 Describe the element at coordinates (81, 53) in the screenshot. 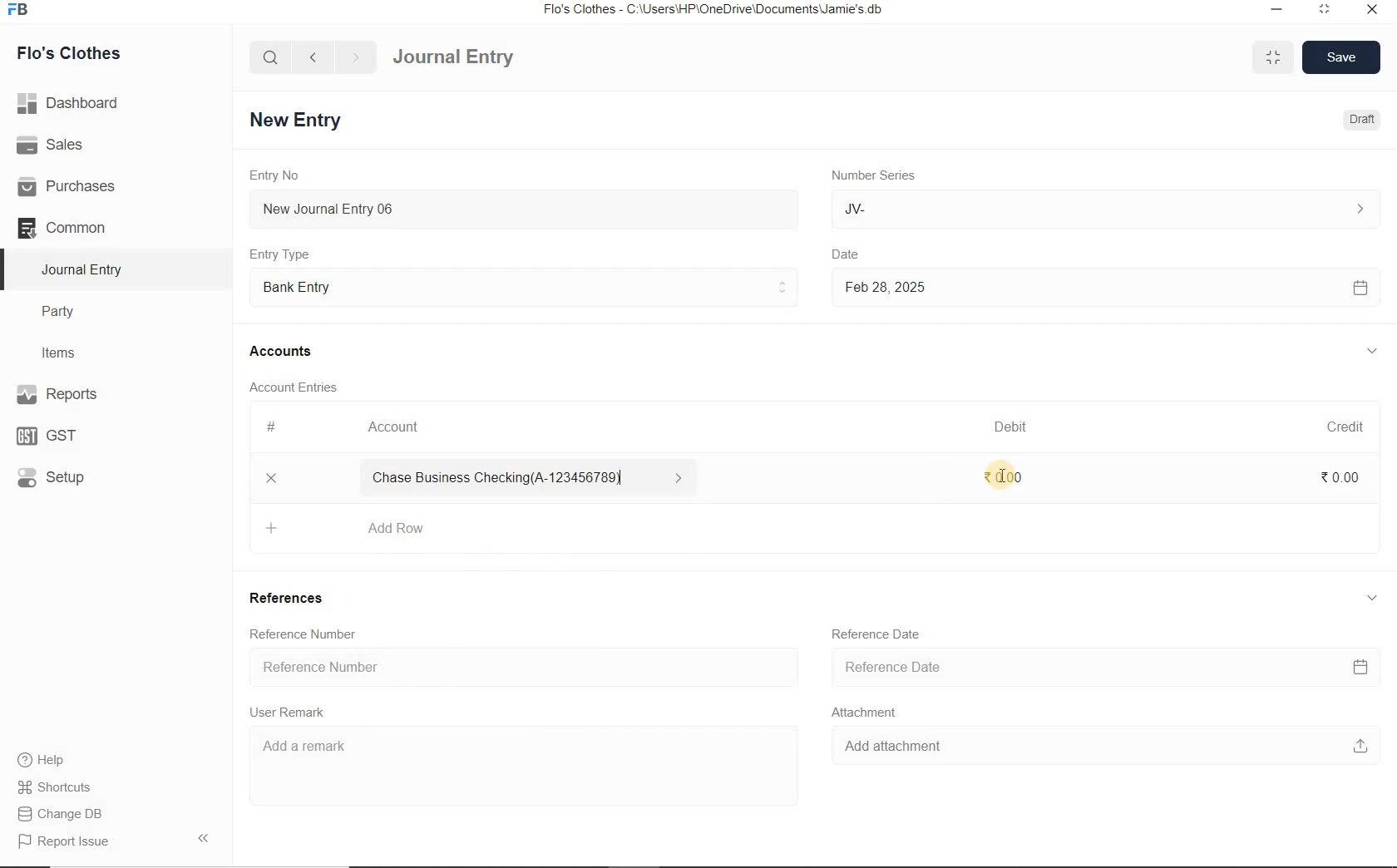

I see `Flo's Clothes` at that location.